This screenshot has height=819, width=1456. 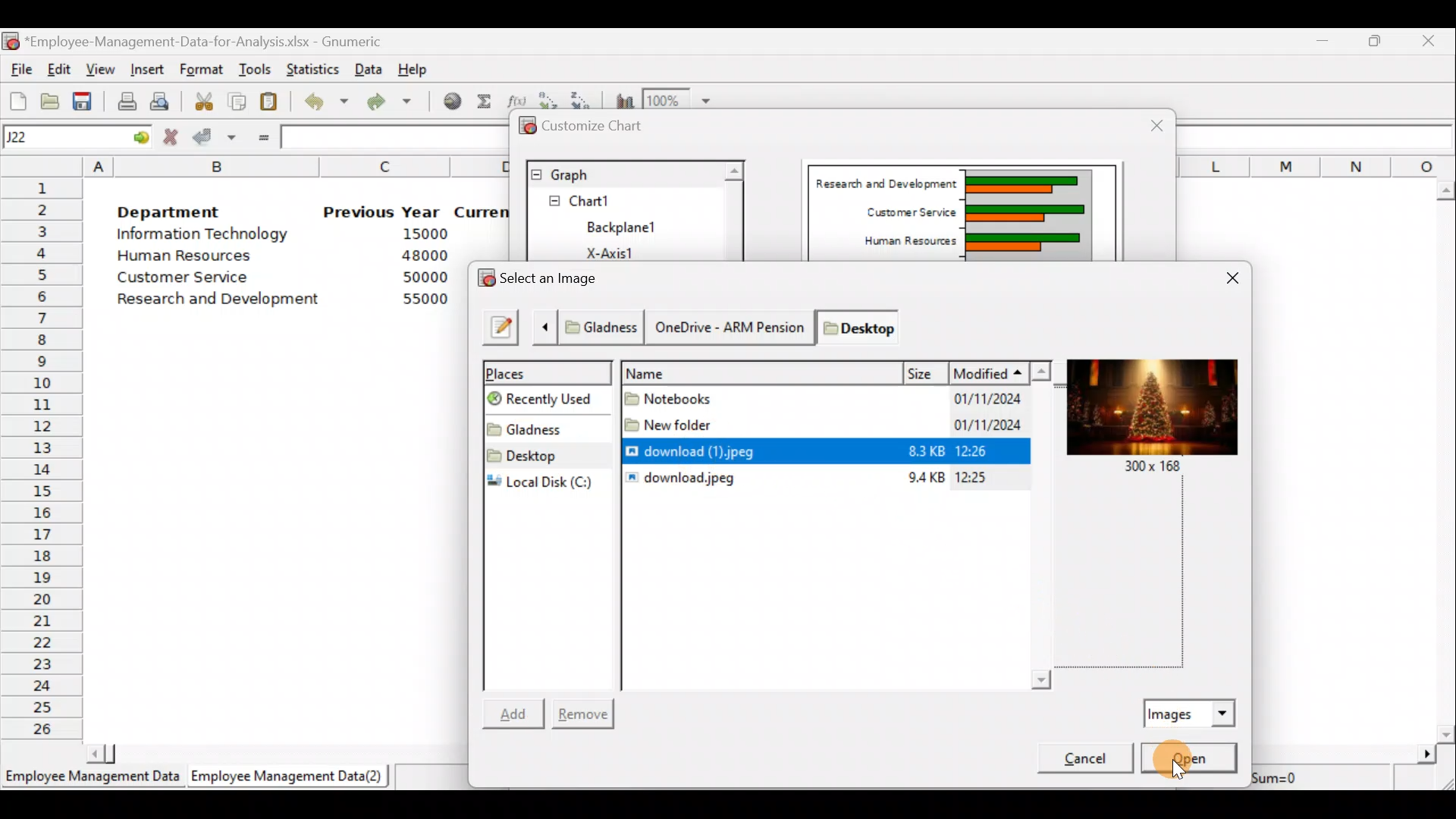 I want to click on Human Resources, so click(x=196, y=257).